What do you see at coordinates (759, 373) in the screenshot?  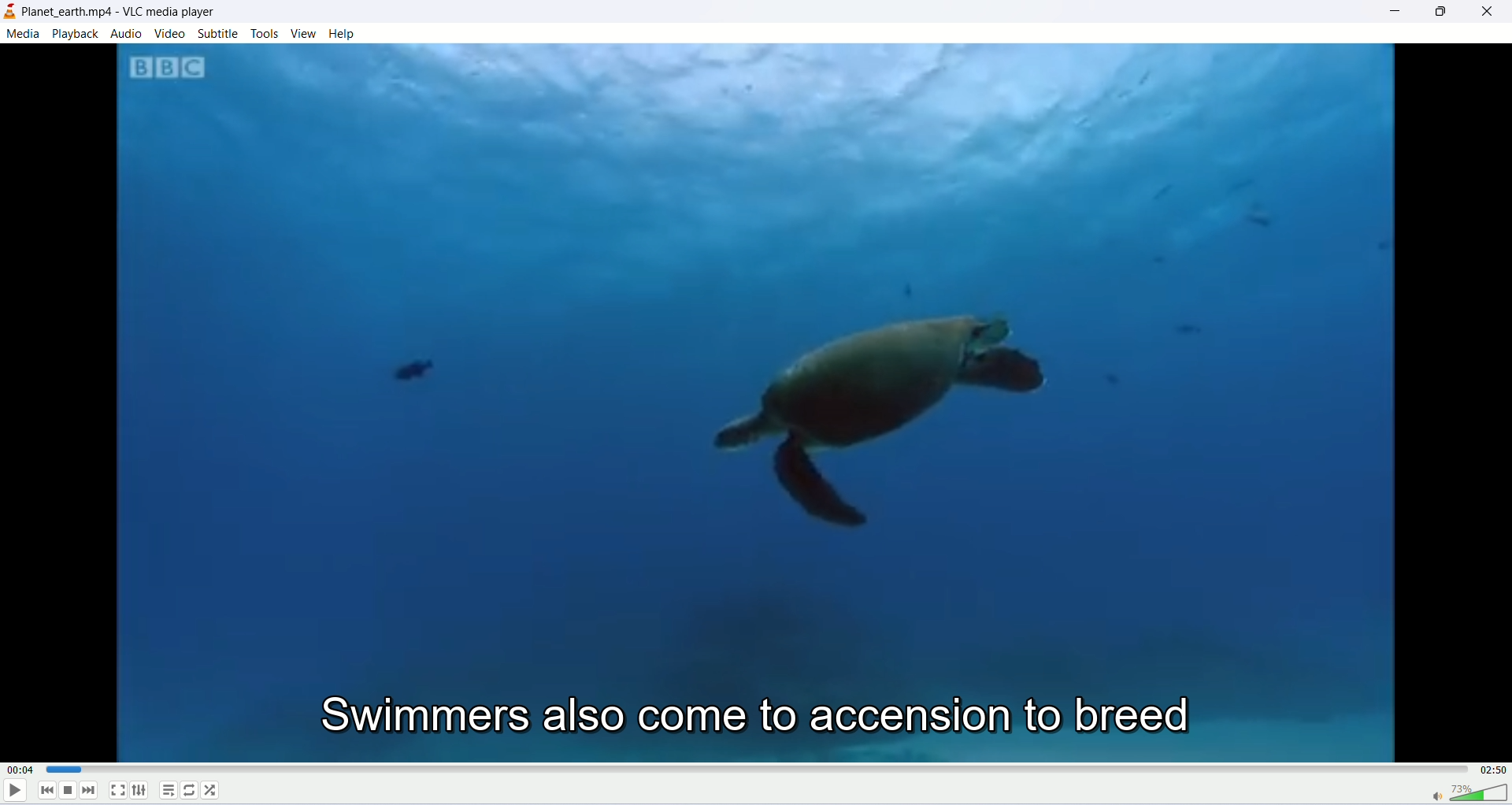 I see `image` at bounding box center [759, 373].